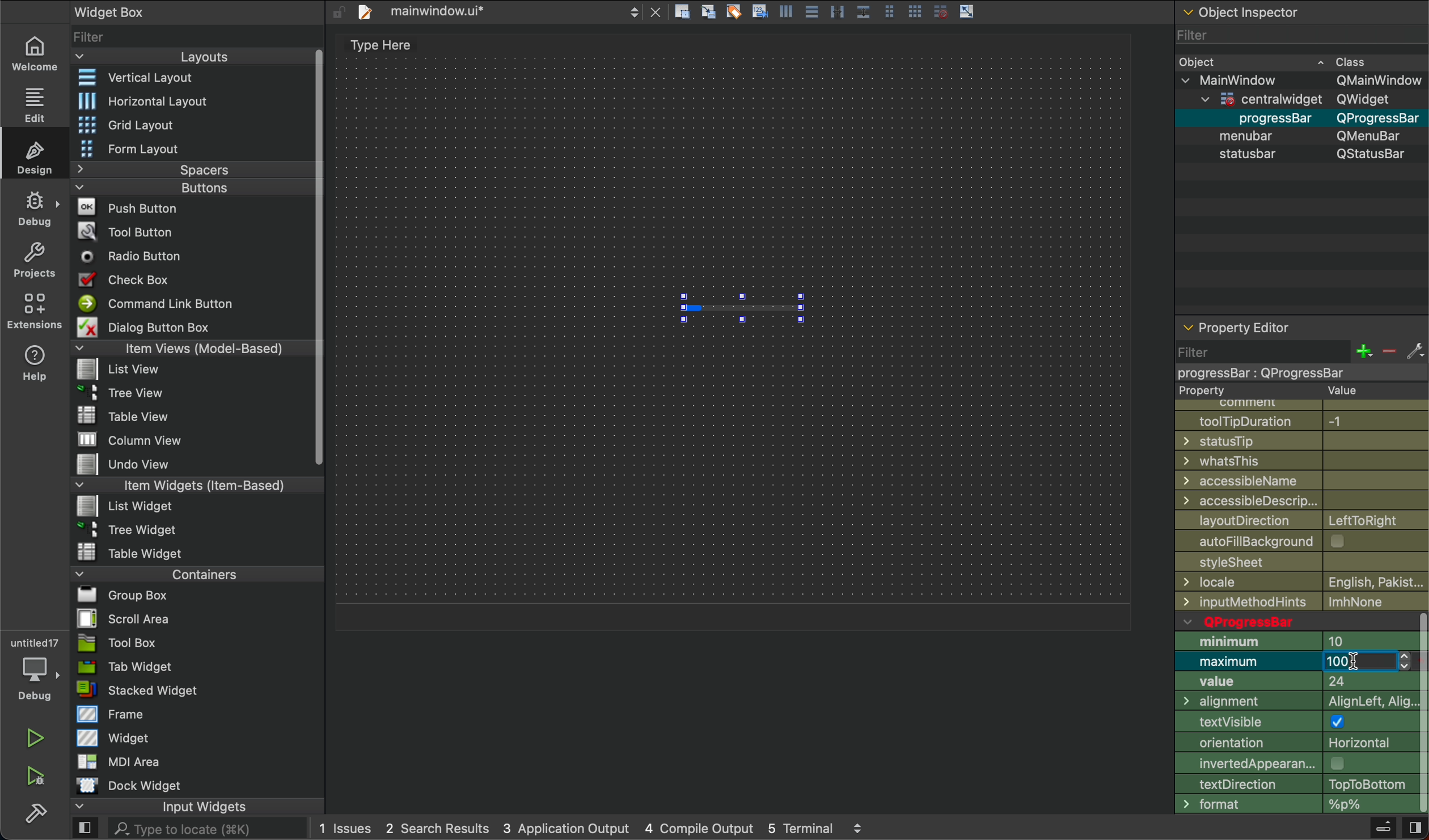 The width and height of the screenshot is (1429, 840). What do you see at coordinates (188, 79) in the screenshot?
I see `vertical layout` at bounding box center [188, 79].